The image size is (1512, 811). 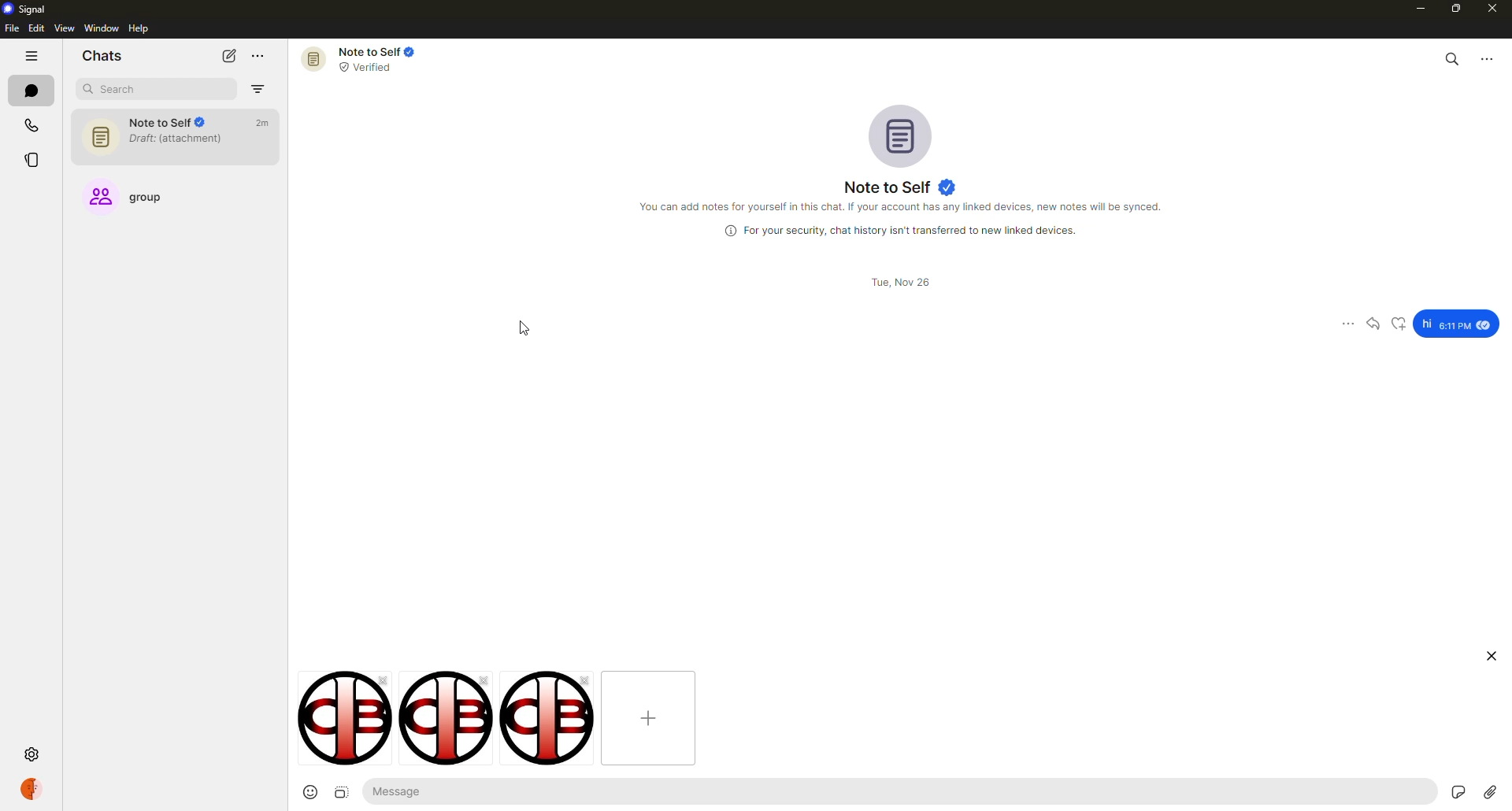 I want to click on new chat, so click(x=228, y=56).